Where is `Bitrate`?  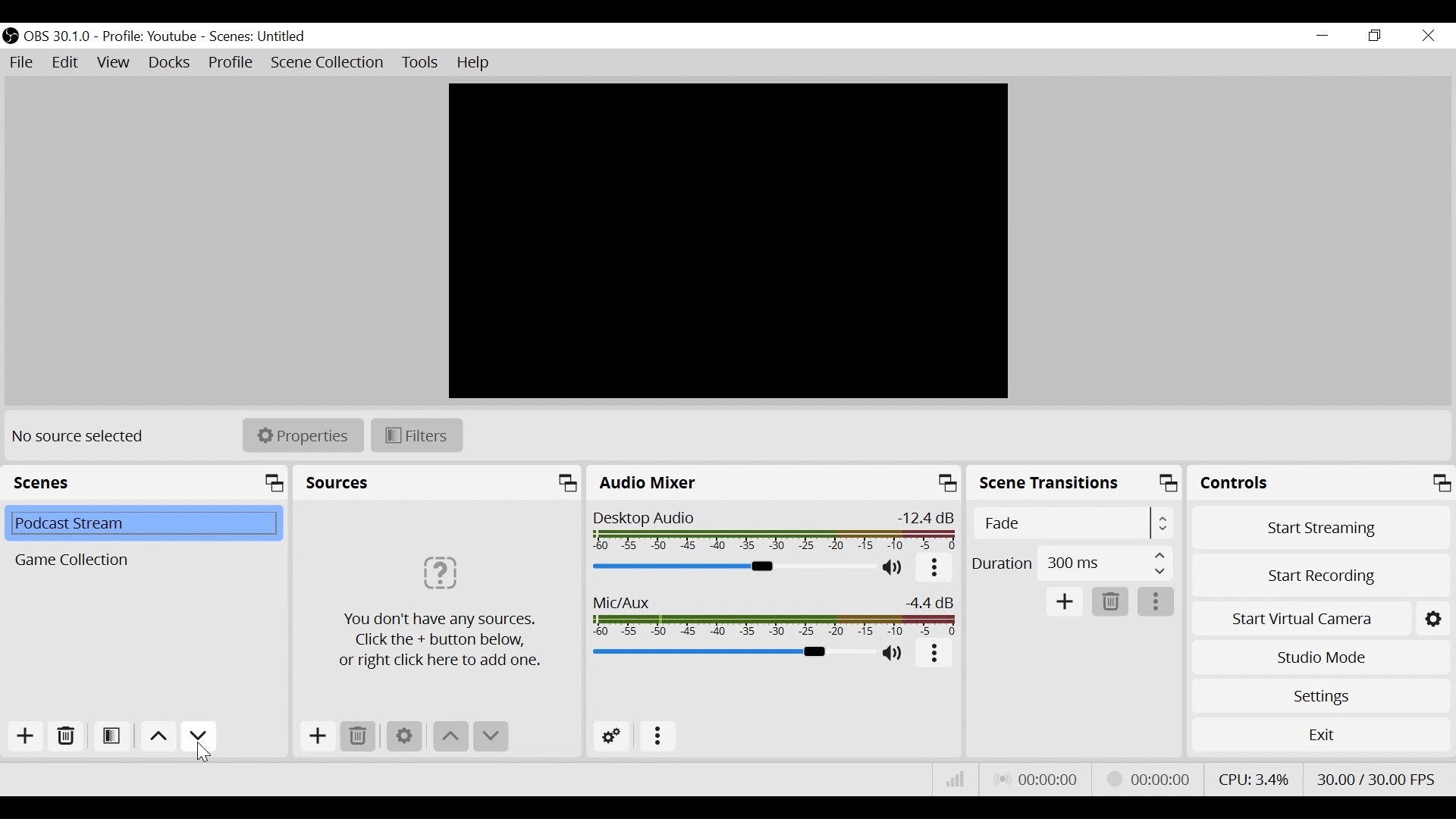 Bitrate is located at coordinates (954, 778).